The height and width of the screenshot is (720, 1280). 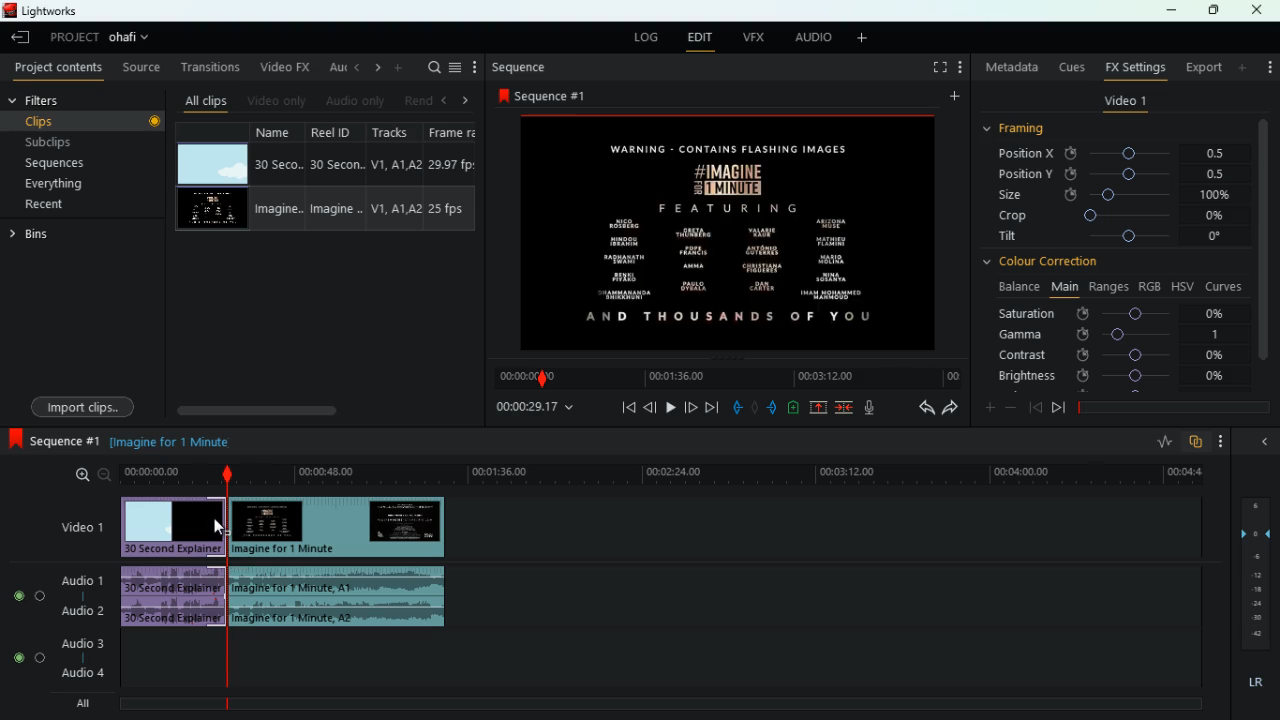 What do you see at coordinates (450, 177) in the screenshot?
I see `frame` at bounding box center [450, 177].